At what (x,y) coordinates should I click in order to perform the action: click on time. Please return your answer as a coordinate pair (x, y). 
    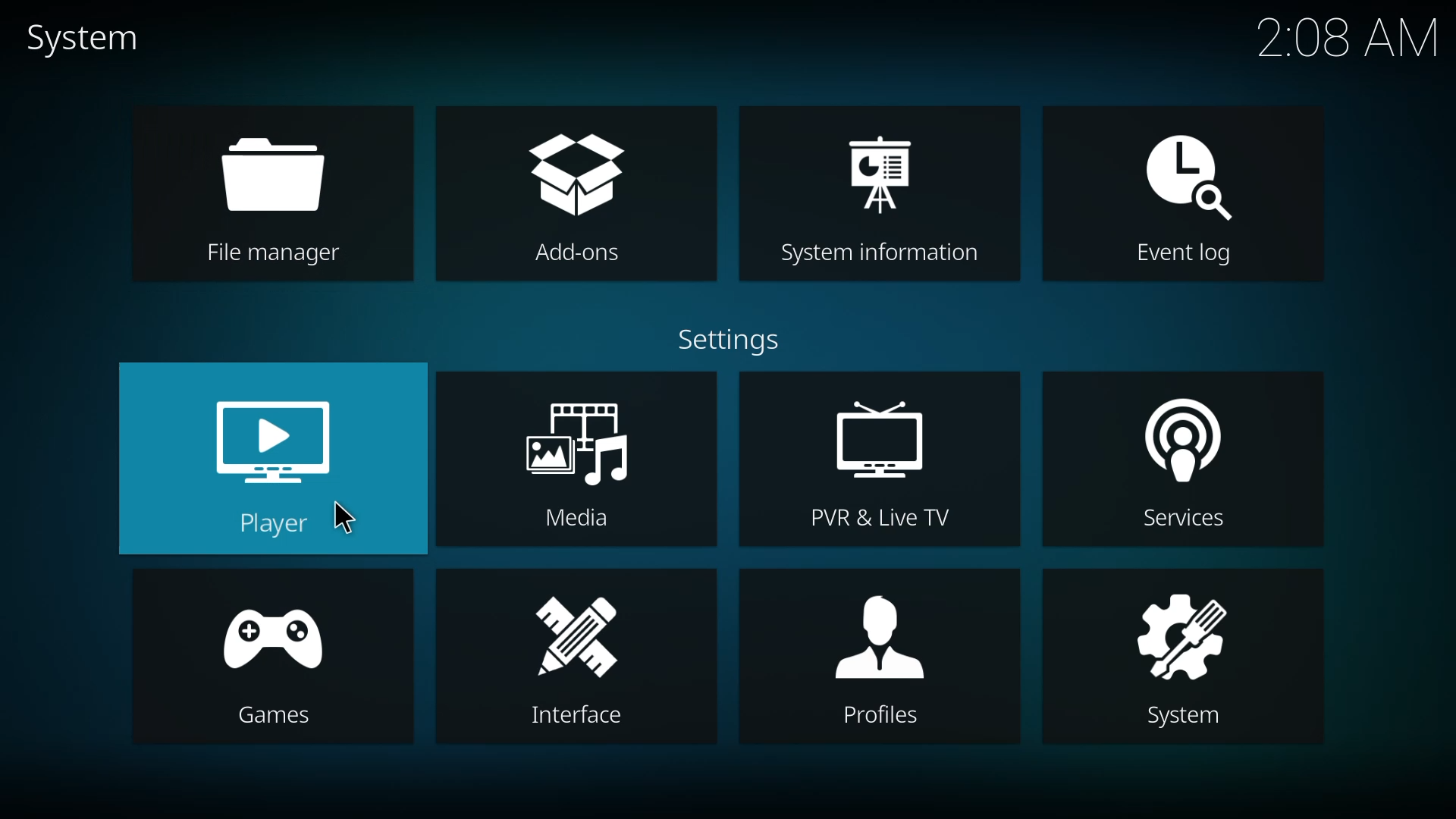
    Looking at the image, I should click on (1347, 38).